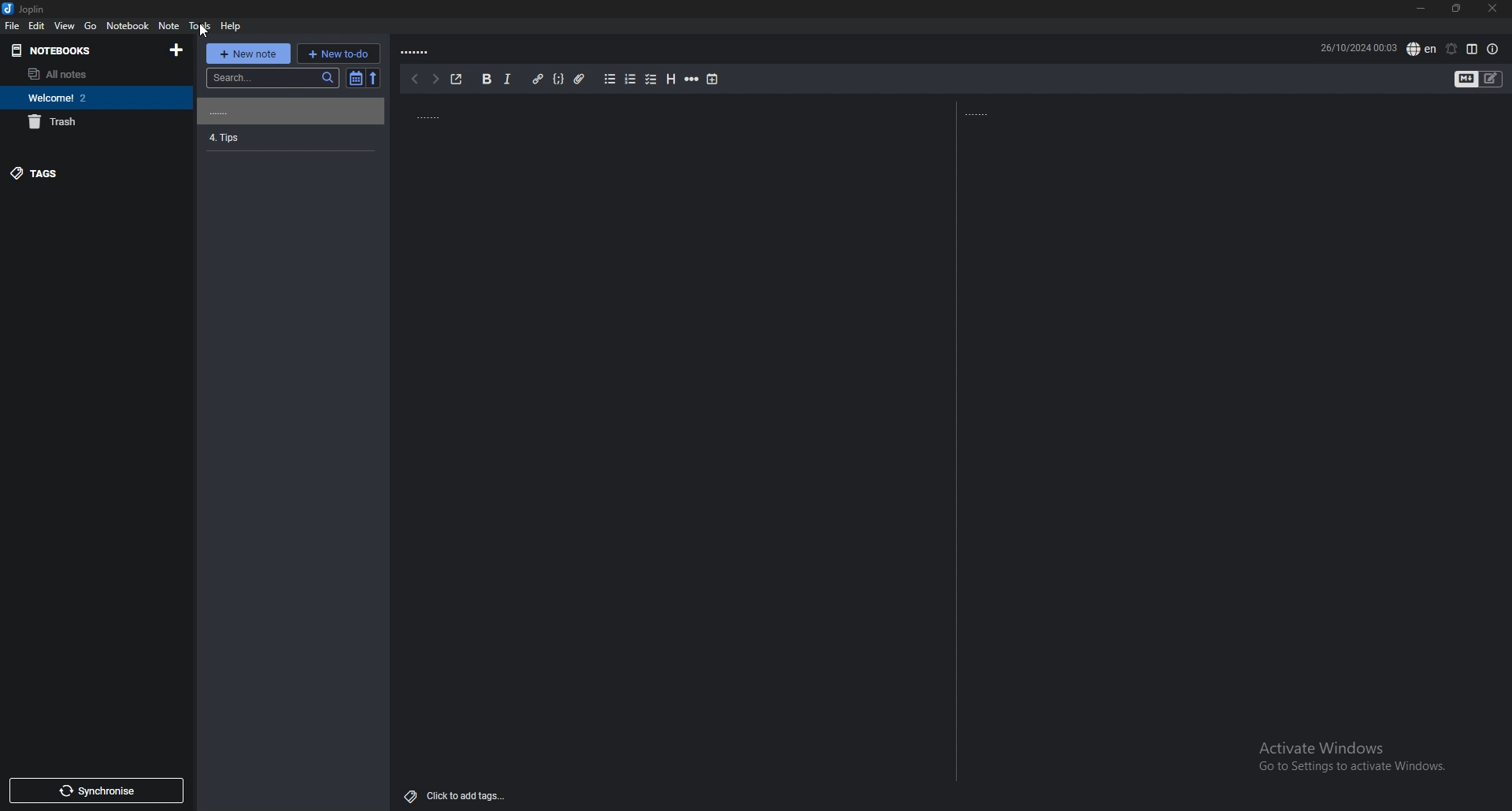  Describe the element at coordinates (1492, 9) in the screenshot. I see `close` at that location.